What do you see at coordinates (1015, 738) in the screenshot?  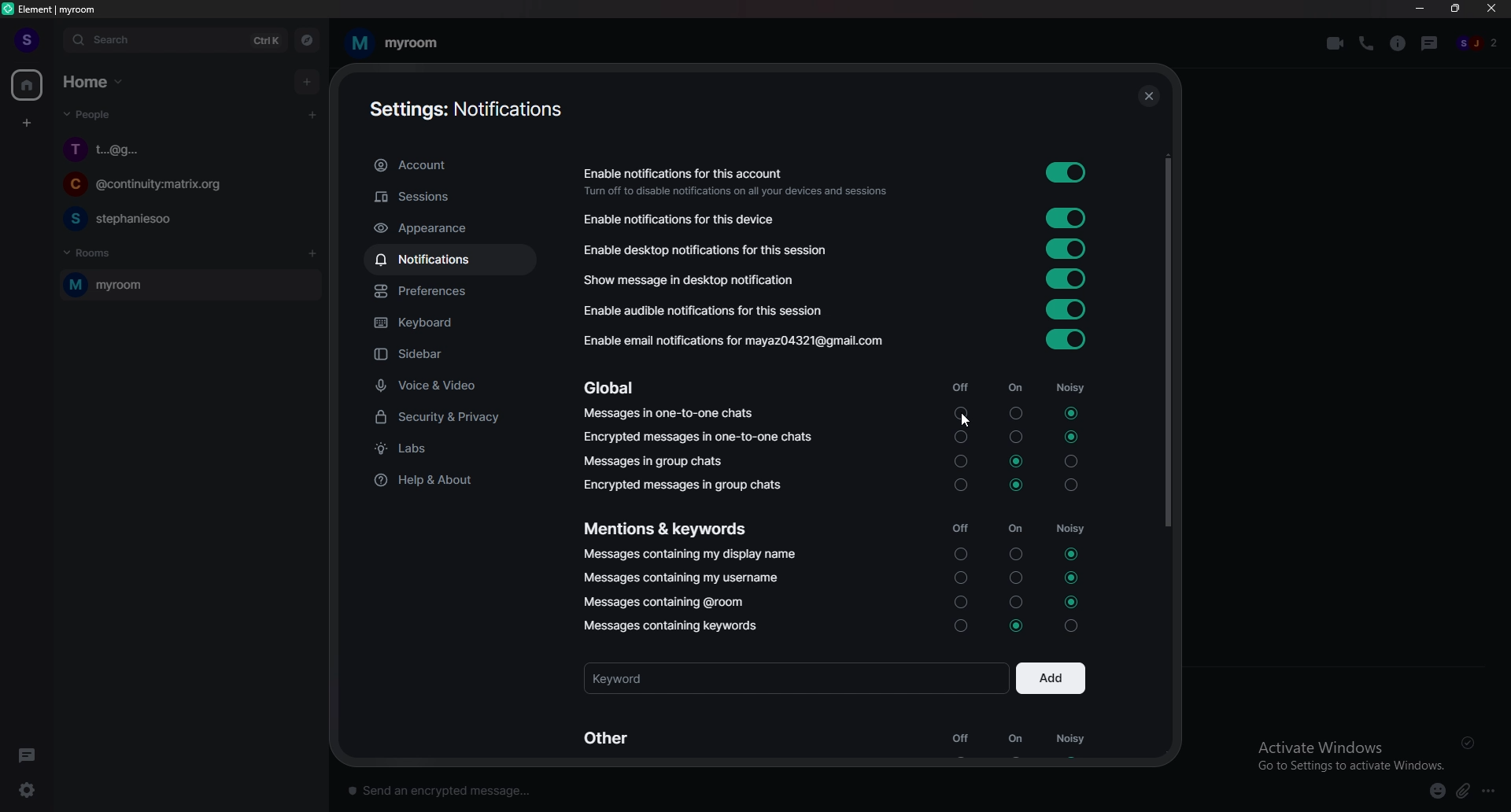 I see `on` at bounding box center [1015, 738].